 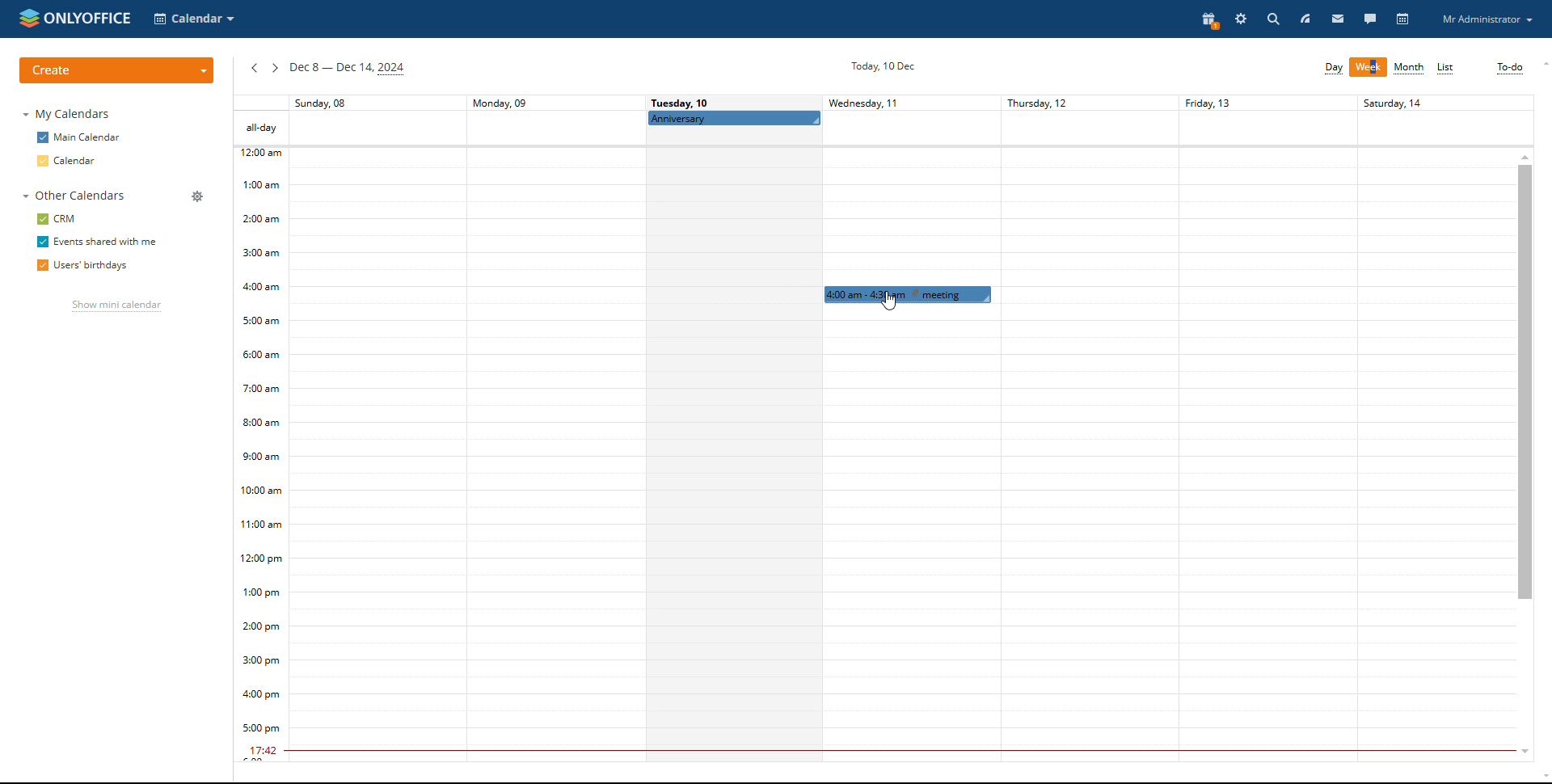 What do you see at coordinates (1525, 381) in the screenshot?
I see `scrollbar` at bounding box center [1525, 381].